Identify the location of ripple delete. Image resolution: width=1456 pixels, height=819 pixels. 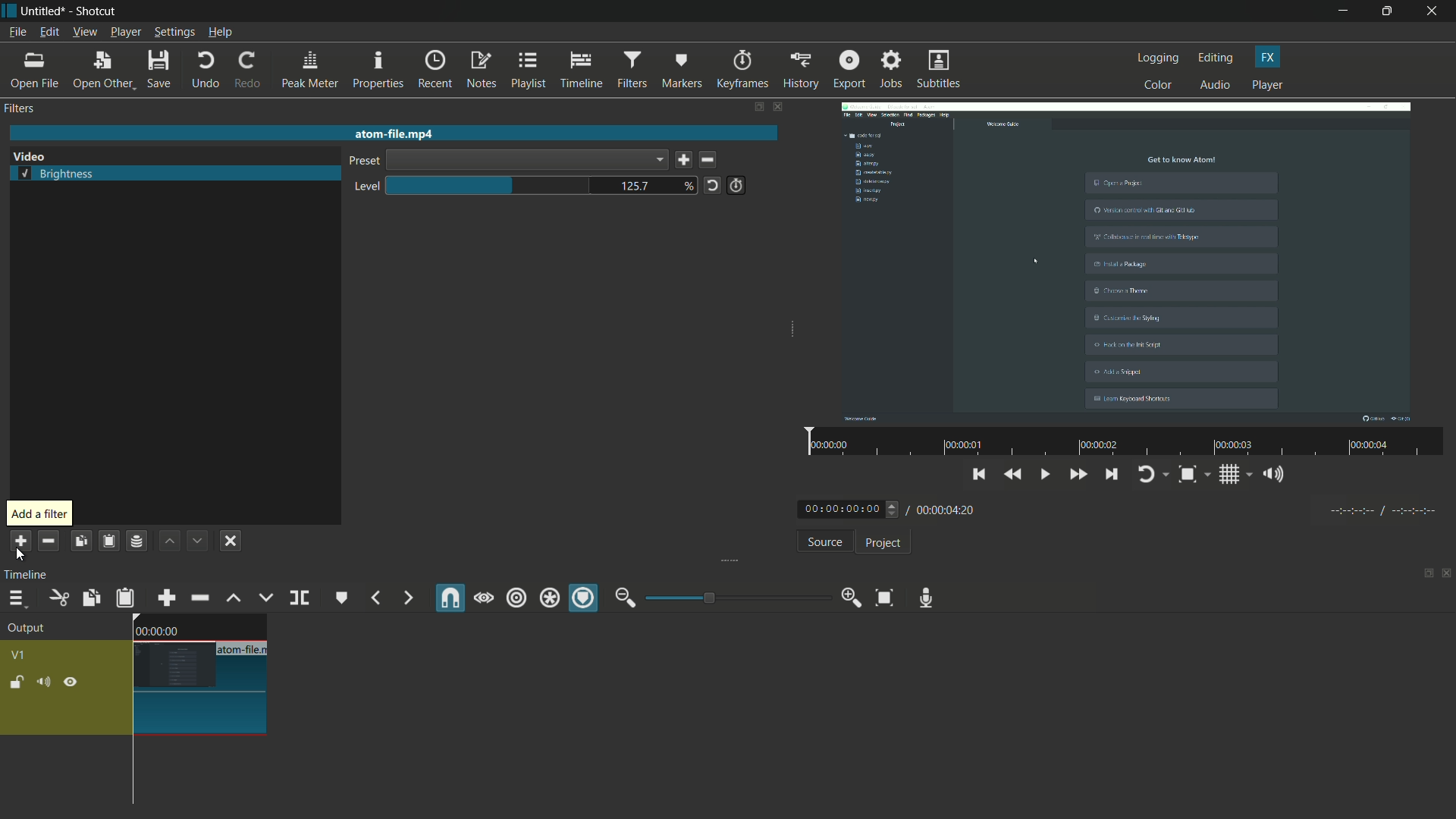
(199, 598).